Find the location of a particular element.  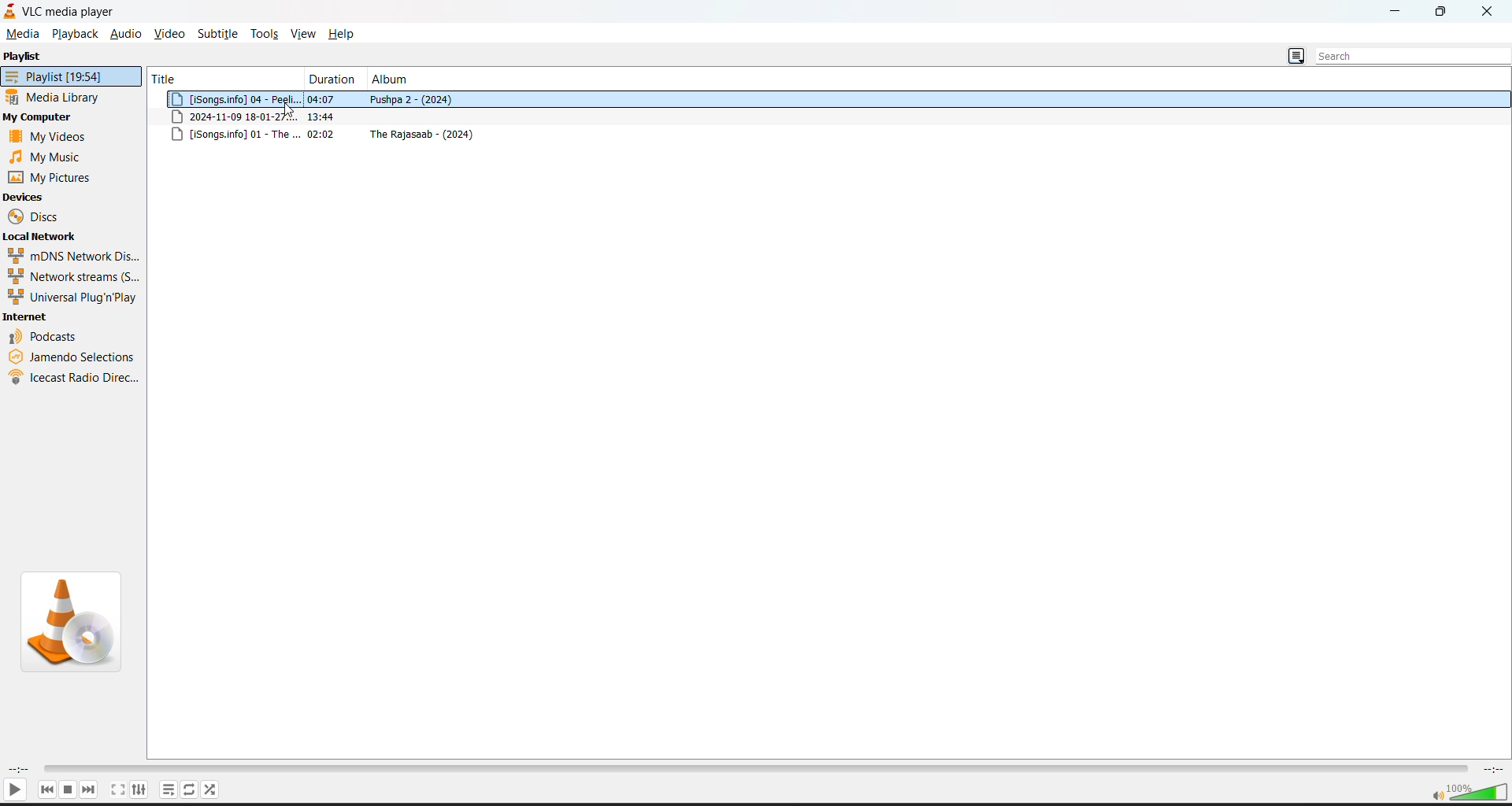

change playlist view is located at coordinates (1295, 56).